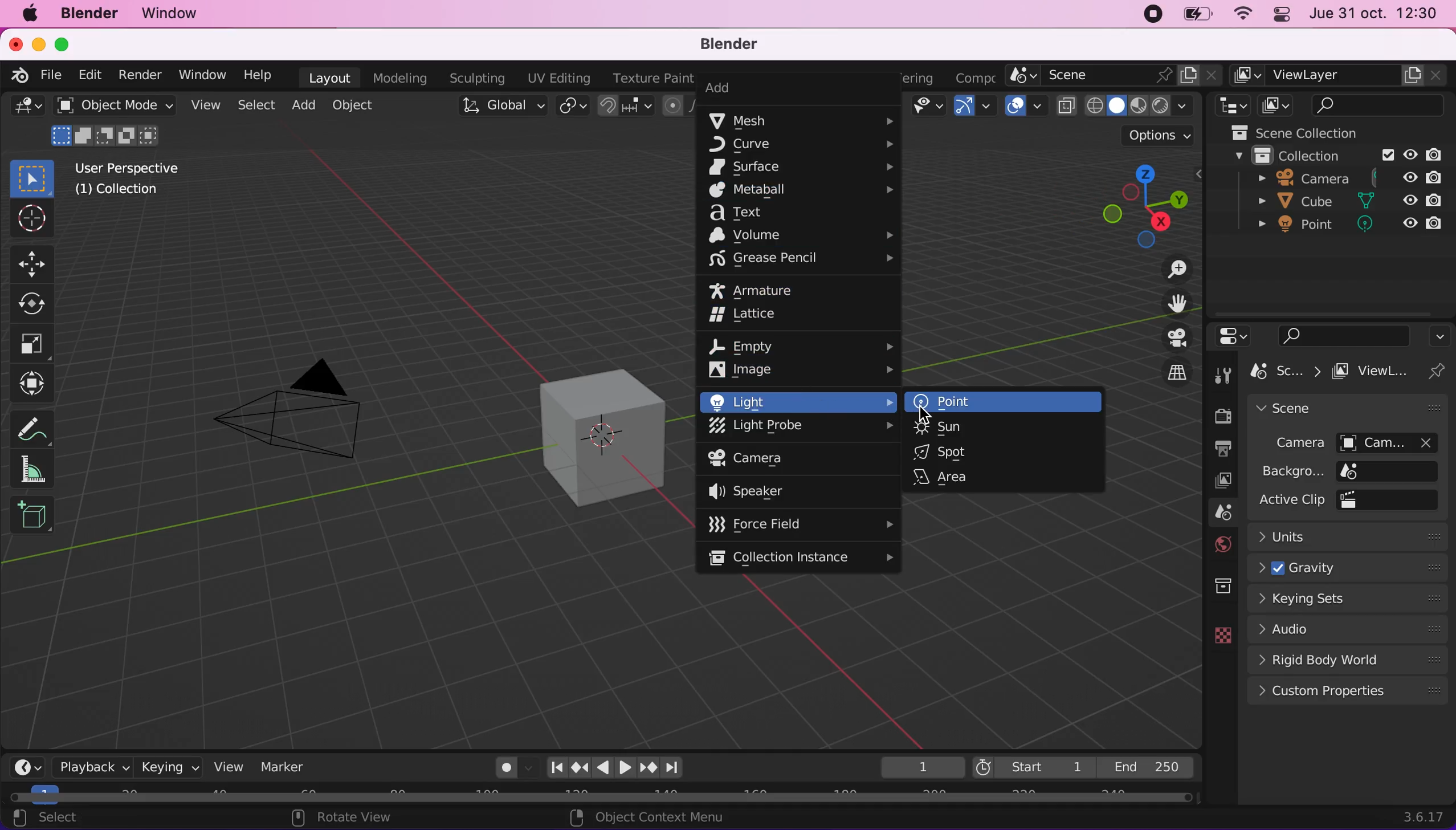 The width and height of the screenshot is (1456, 830). Describe the element at coordinates (255, 105) in the screenshot. I see `select` at that location.